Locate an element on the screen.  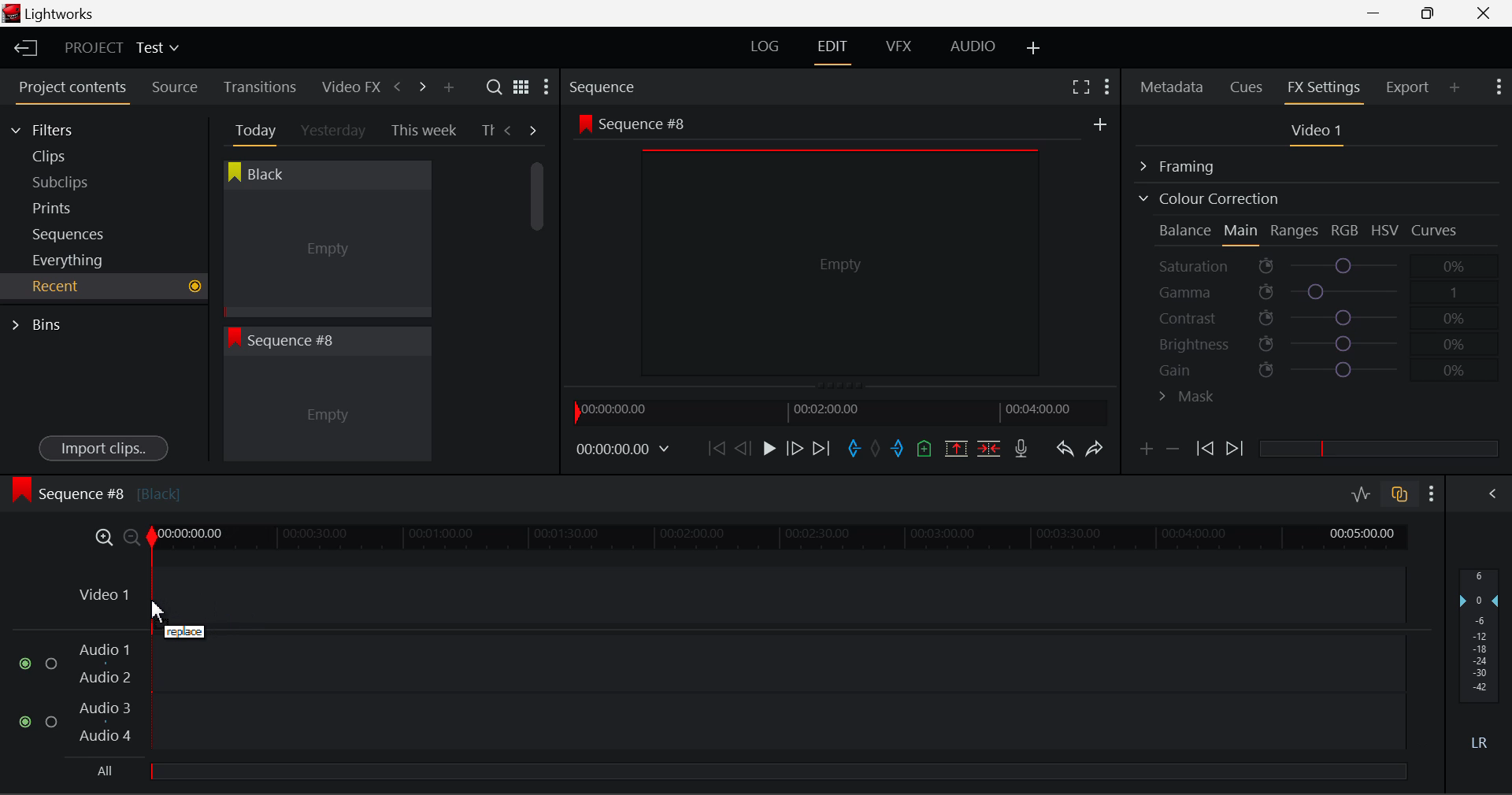
Subclips is located at coordinates (76, 182).